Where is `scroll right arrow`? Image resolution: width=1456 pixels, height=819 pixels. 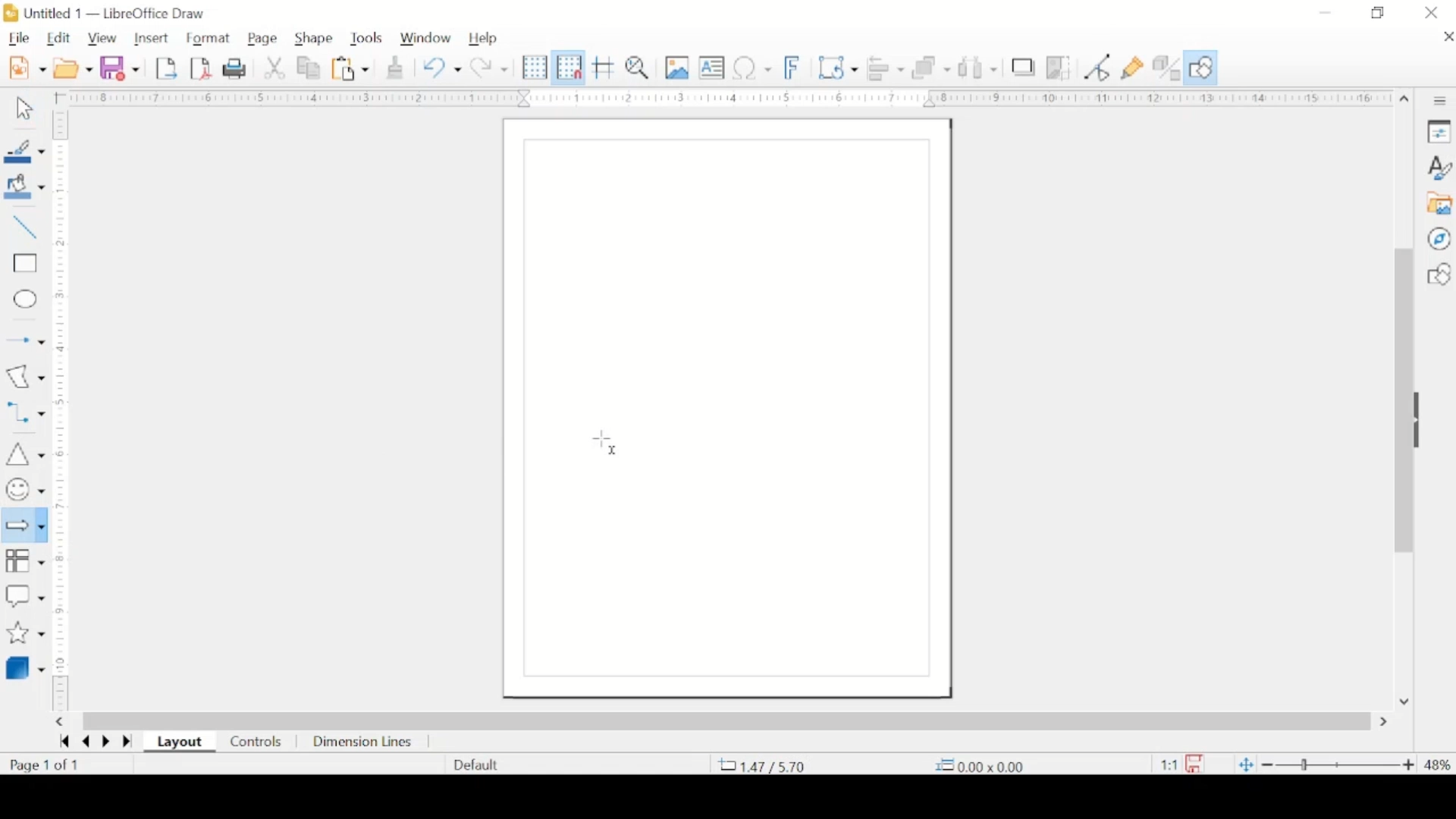 scroll right arrow is located at coordinates (1387, 722).